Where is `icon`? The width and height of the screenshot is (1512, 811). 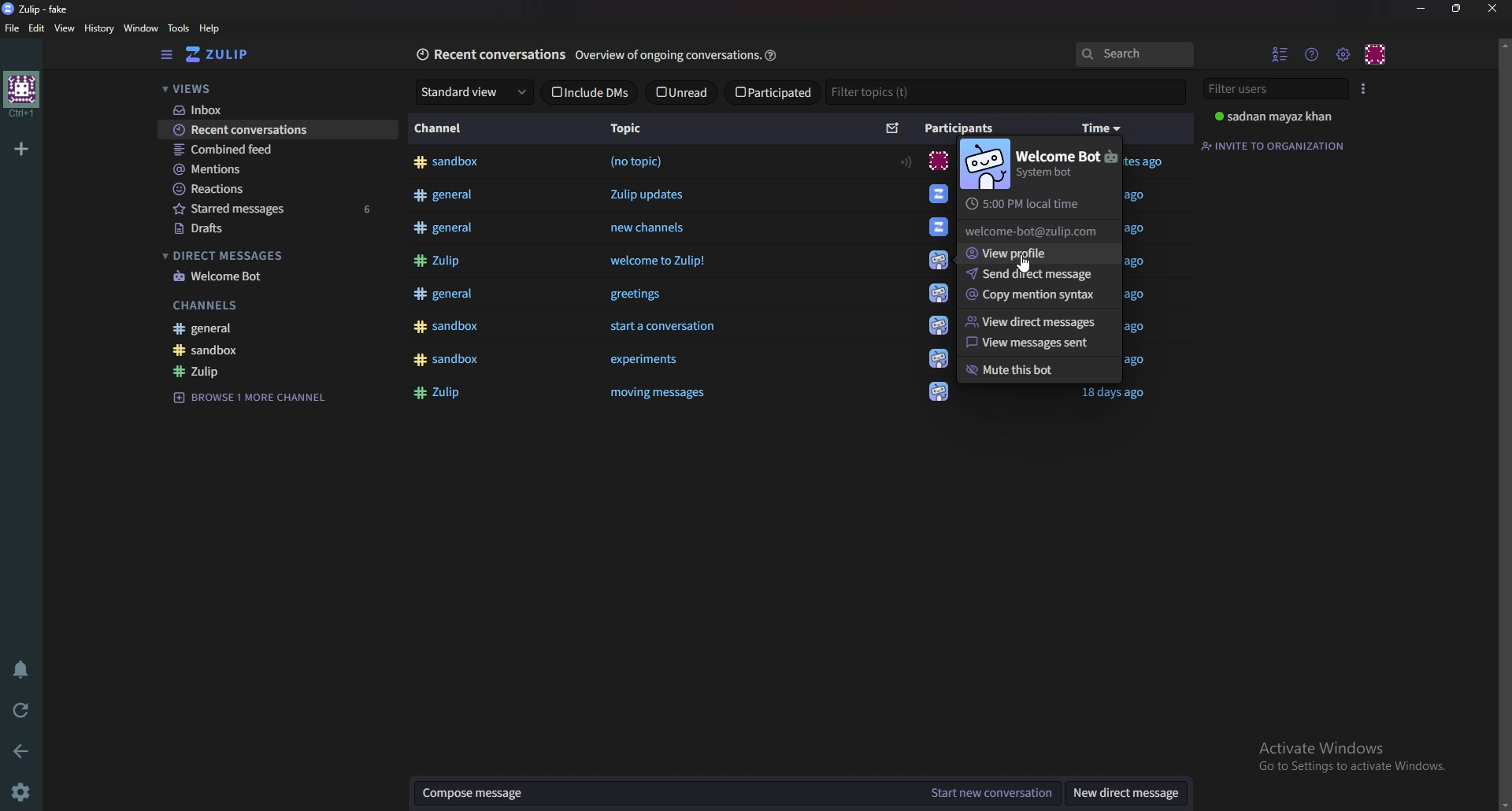 icon is located at coordinates (937, 395).